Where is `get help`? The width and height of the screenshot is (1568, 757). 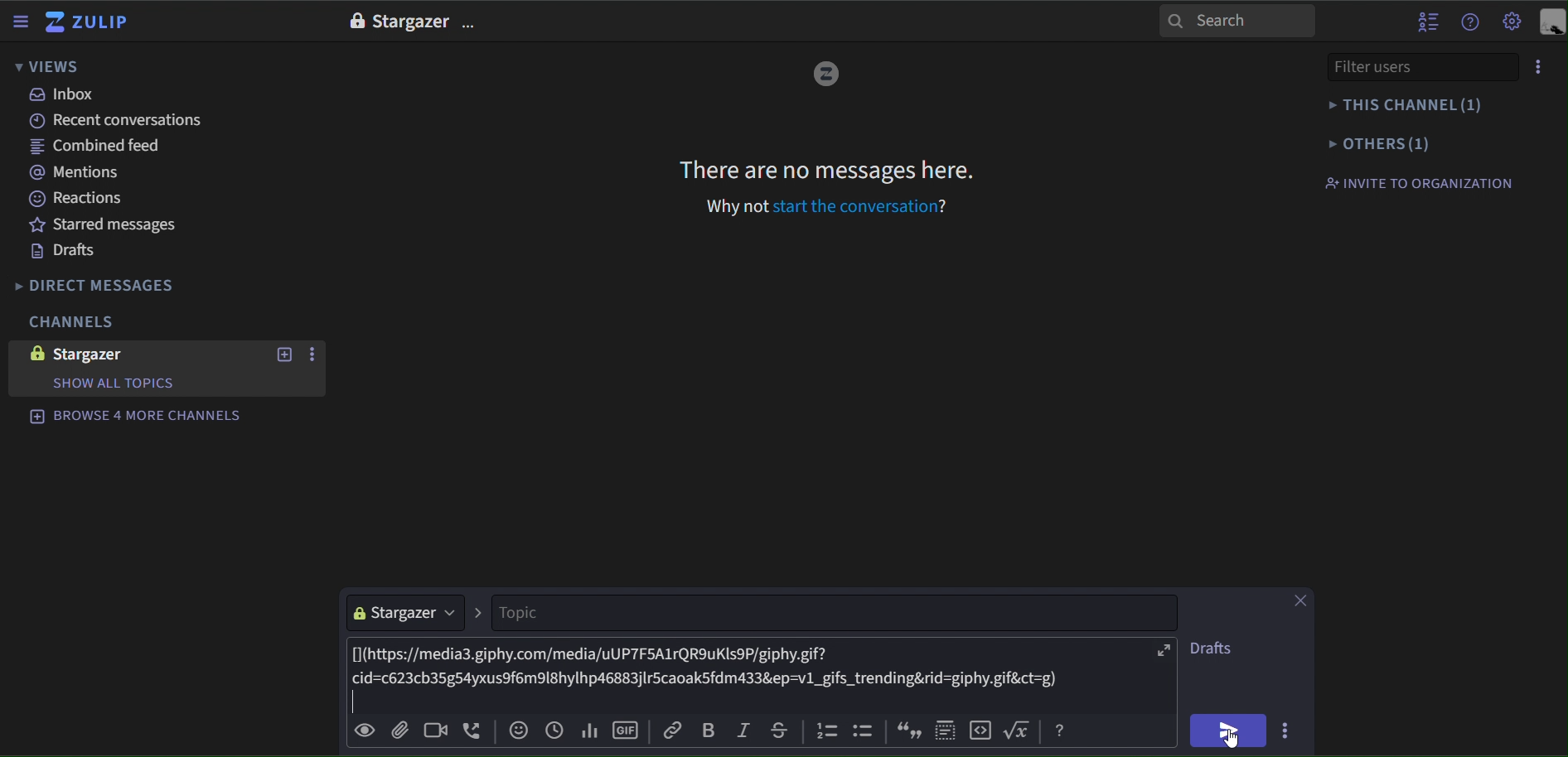 get help is located at coordinates (1471, 22).